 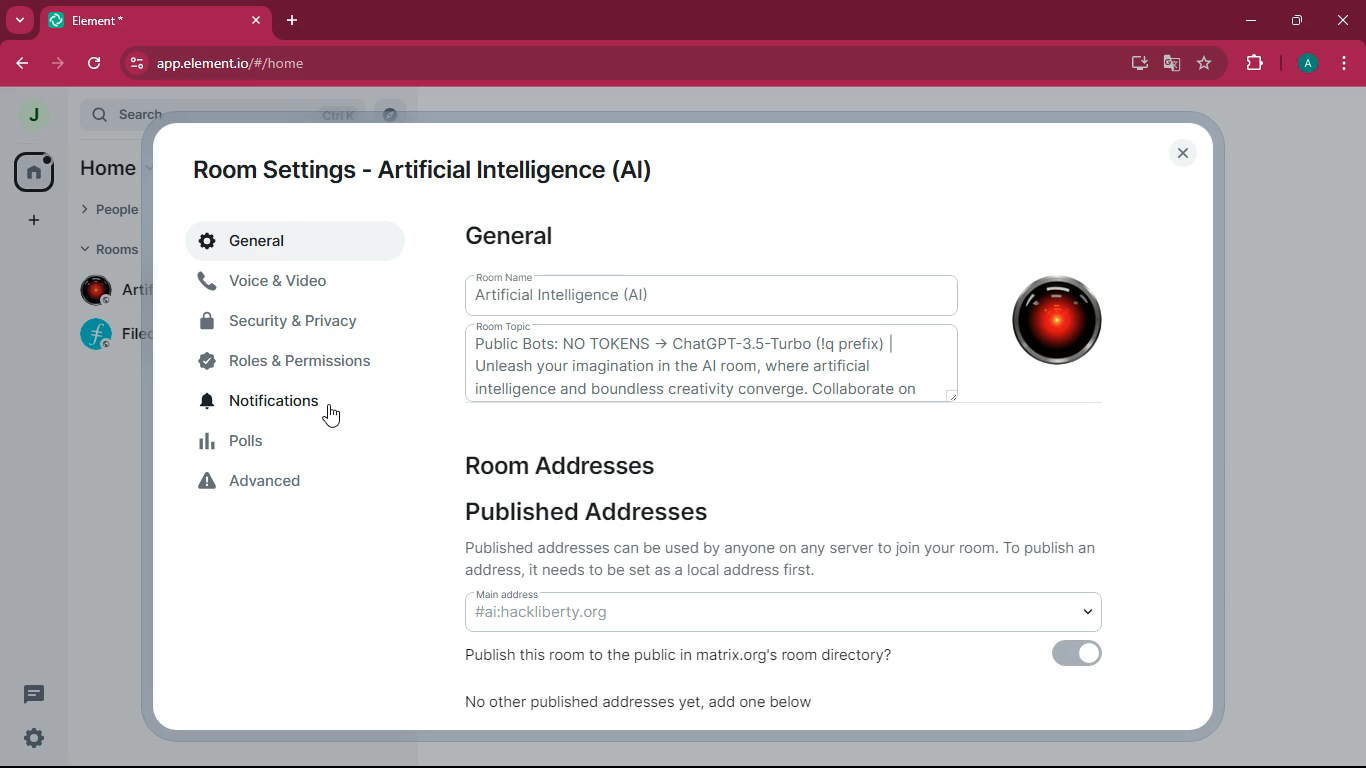 I want to click on main address, so click(x=797, y=611).